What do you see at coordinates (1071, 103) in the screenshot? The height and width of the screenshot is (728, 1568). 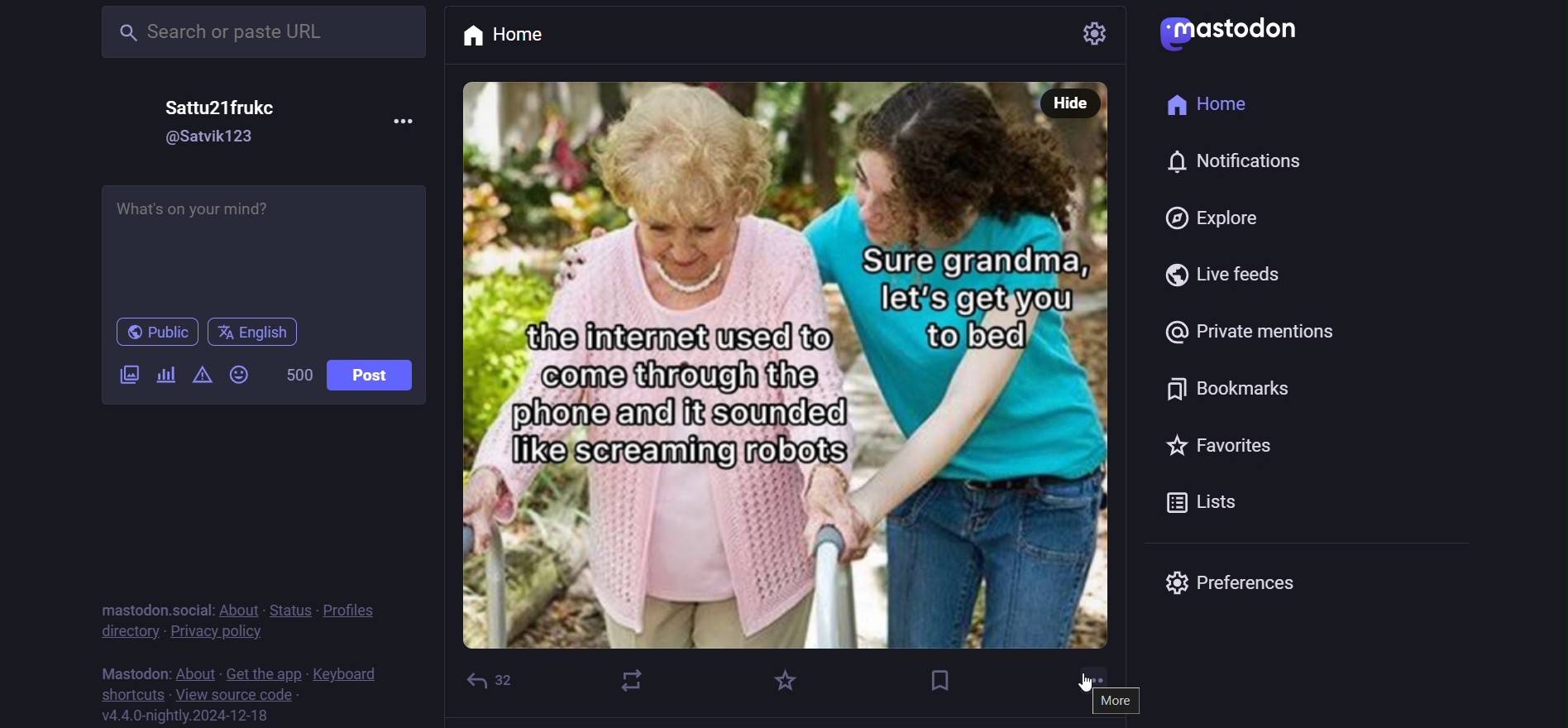 I see `hide` at bounding box center [1071, 103].